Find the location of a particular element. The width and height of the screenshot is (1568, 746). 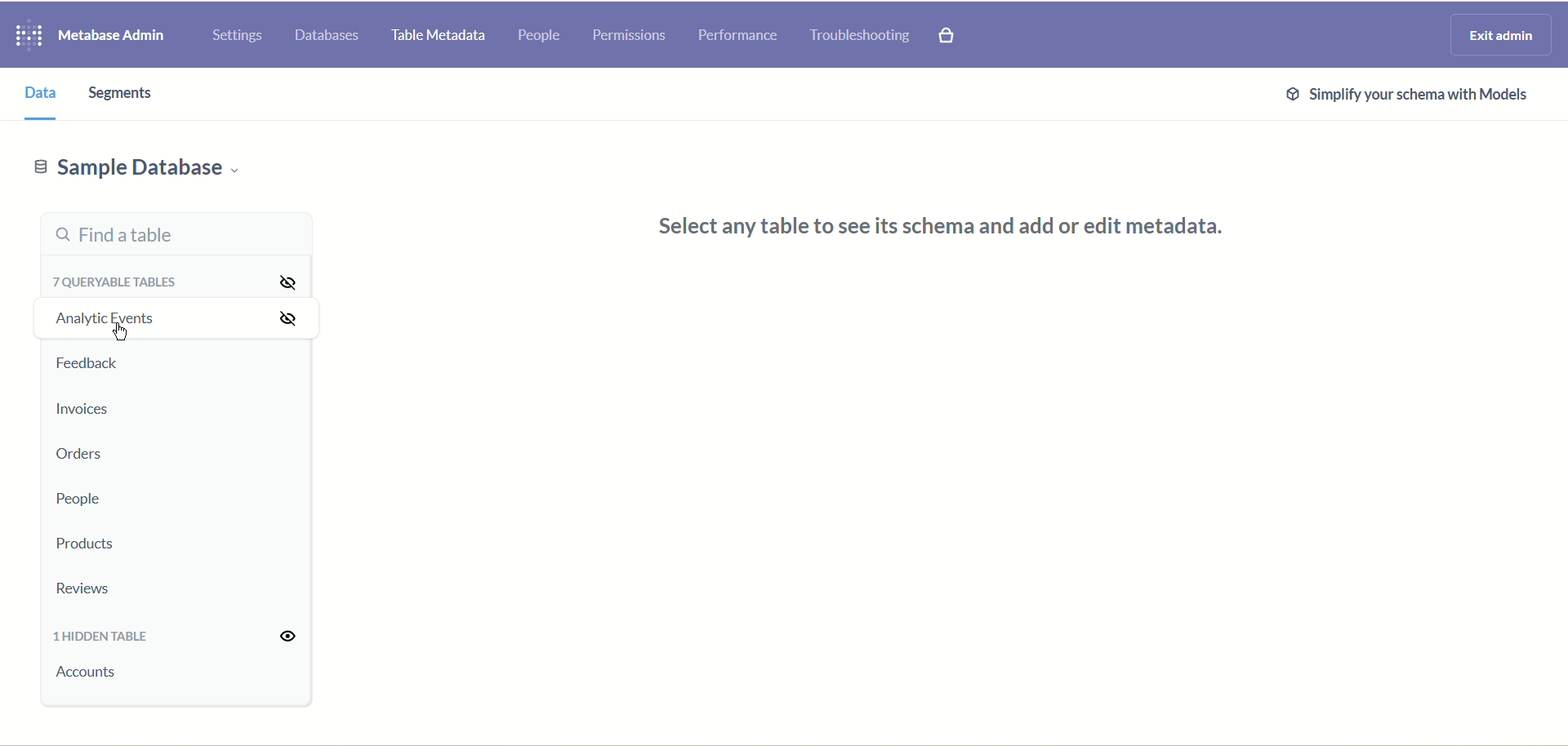

visibility is located at coordinates (278, 302).